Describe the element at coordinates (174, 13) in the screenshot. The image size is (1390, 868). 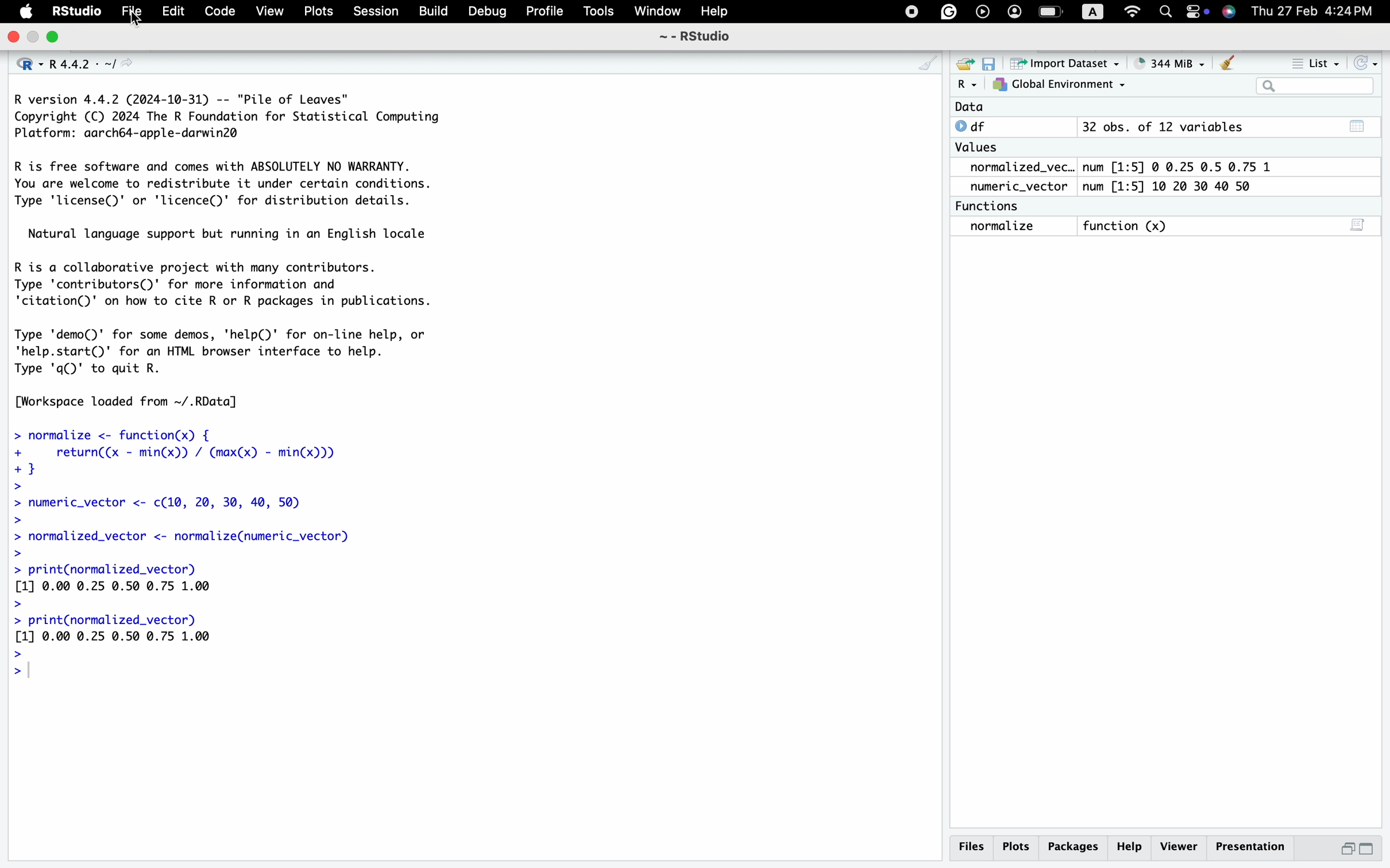
I see `Edit` at that location.